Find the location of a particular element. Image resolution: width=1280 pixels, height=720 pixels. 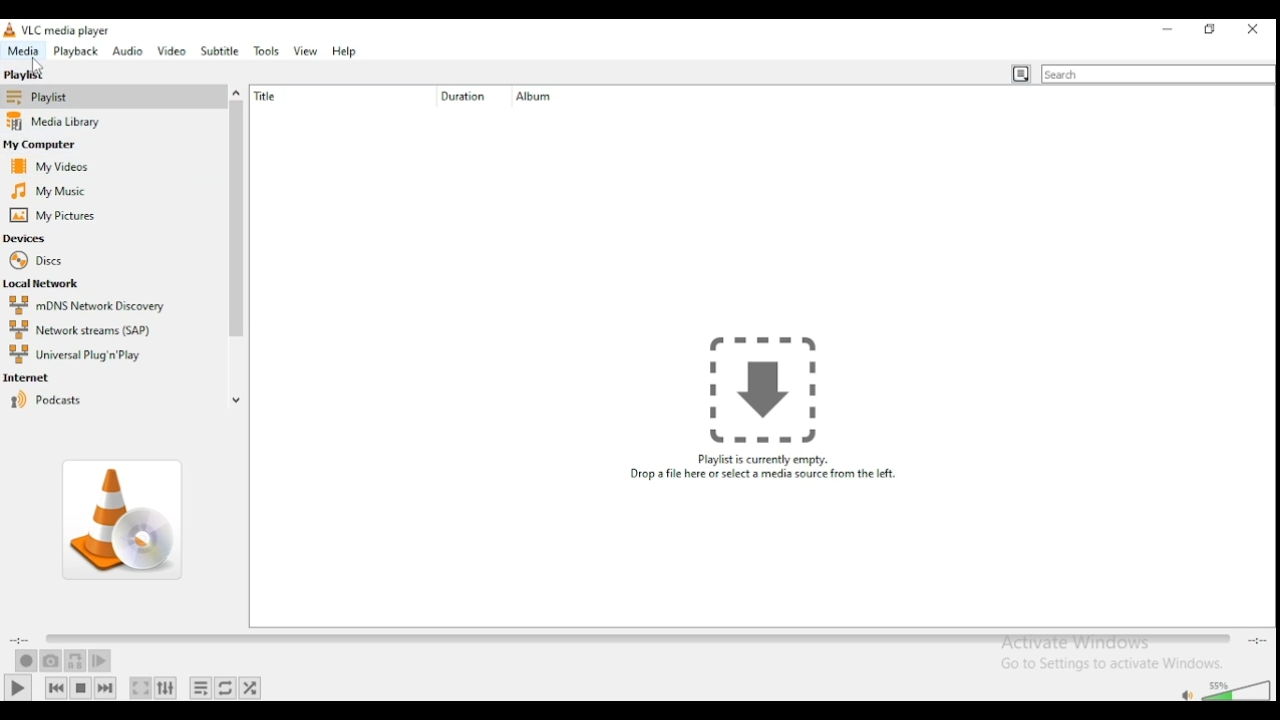

select between loop all, loop one, and no loop is located at coordinates (226, 688).